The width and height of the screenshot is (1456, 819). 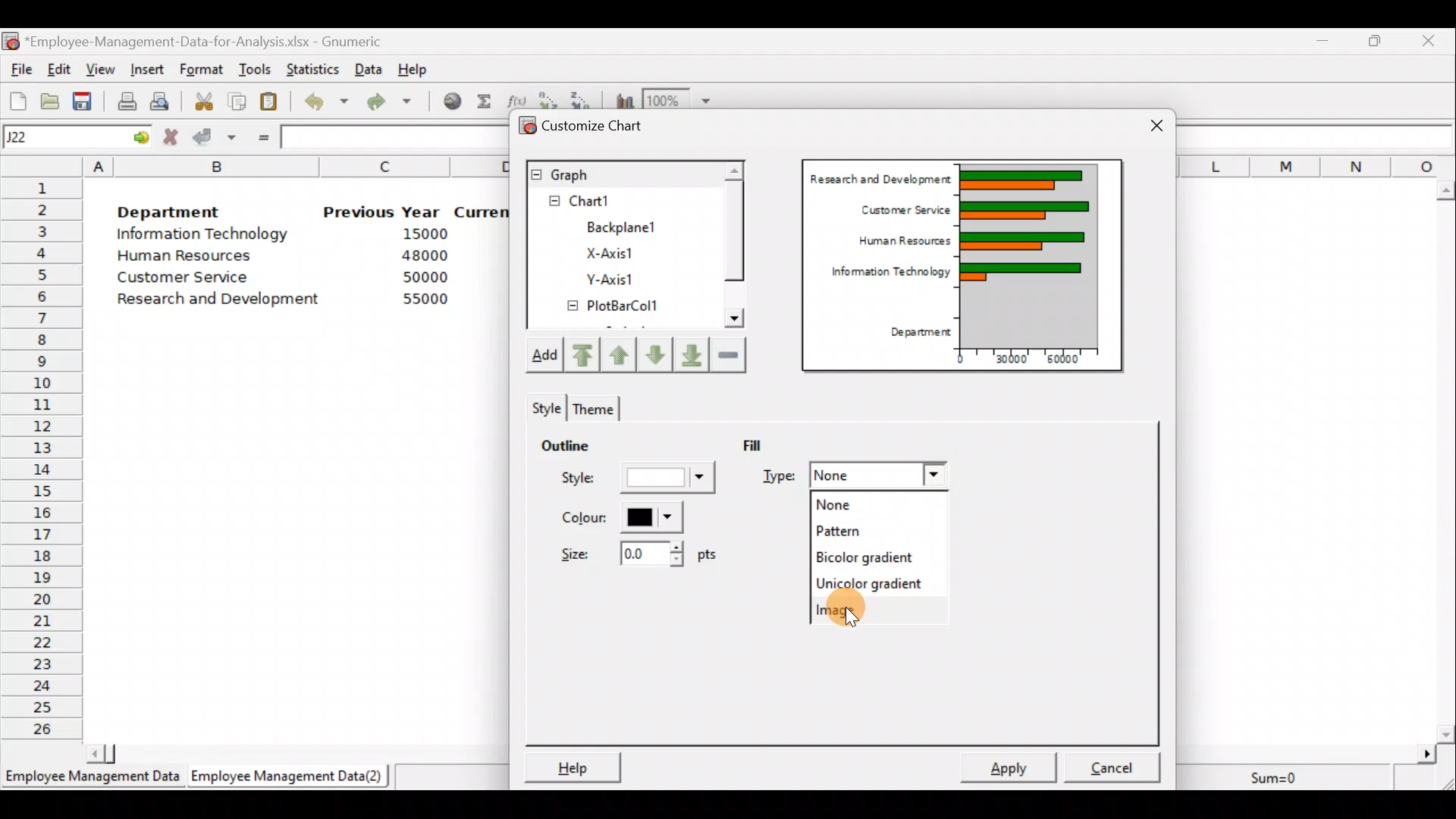 What do you see at coordinates (856, 619) in the screenshot?
I see `Cursor on image` at bounding box center [856, 619].